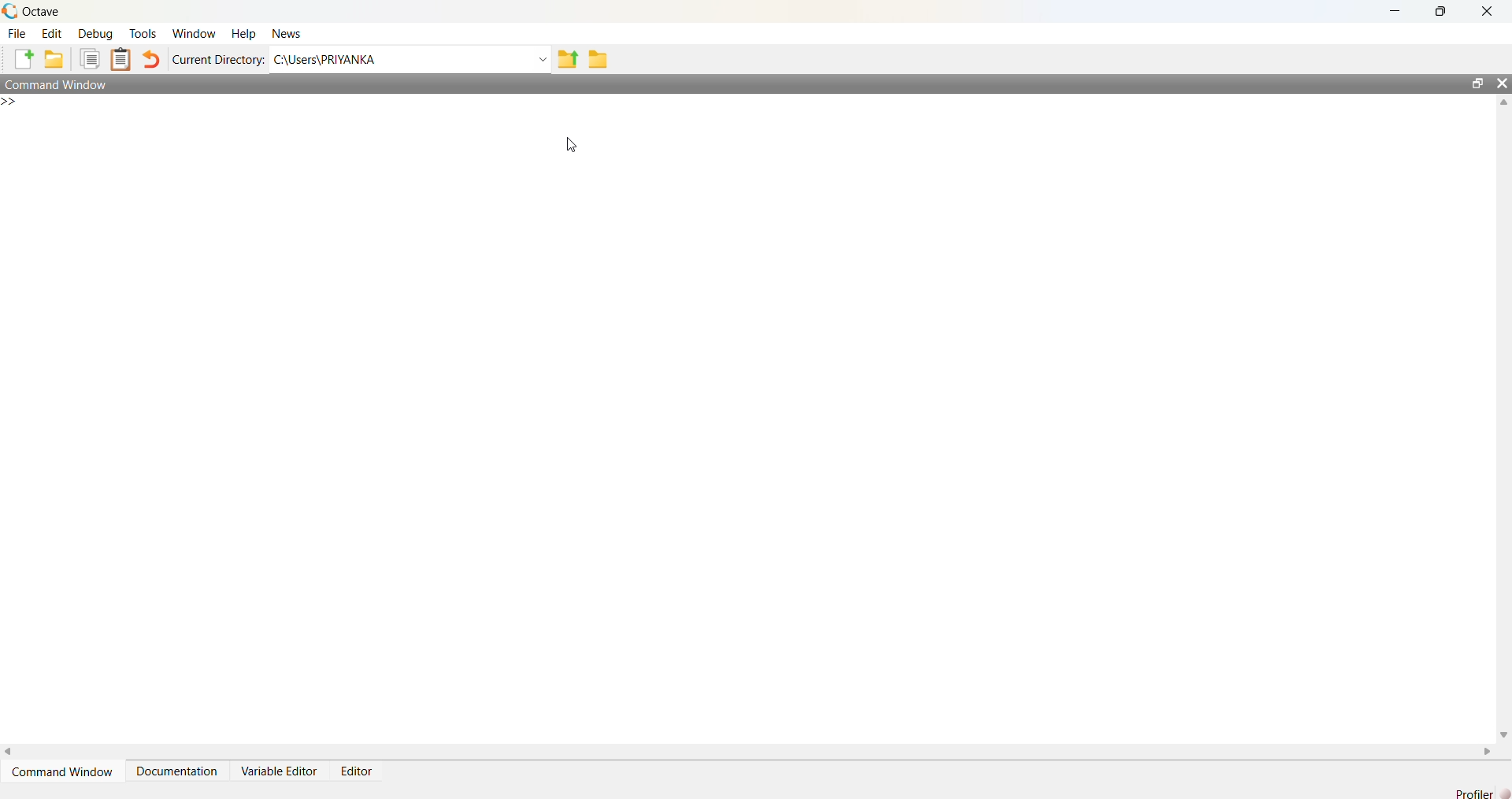  Describe the element at coordinates (94, 32) in the screenshot. I see `Debug` at that location.